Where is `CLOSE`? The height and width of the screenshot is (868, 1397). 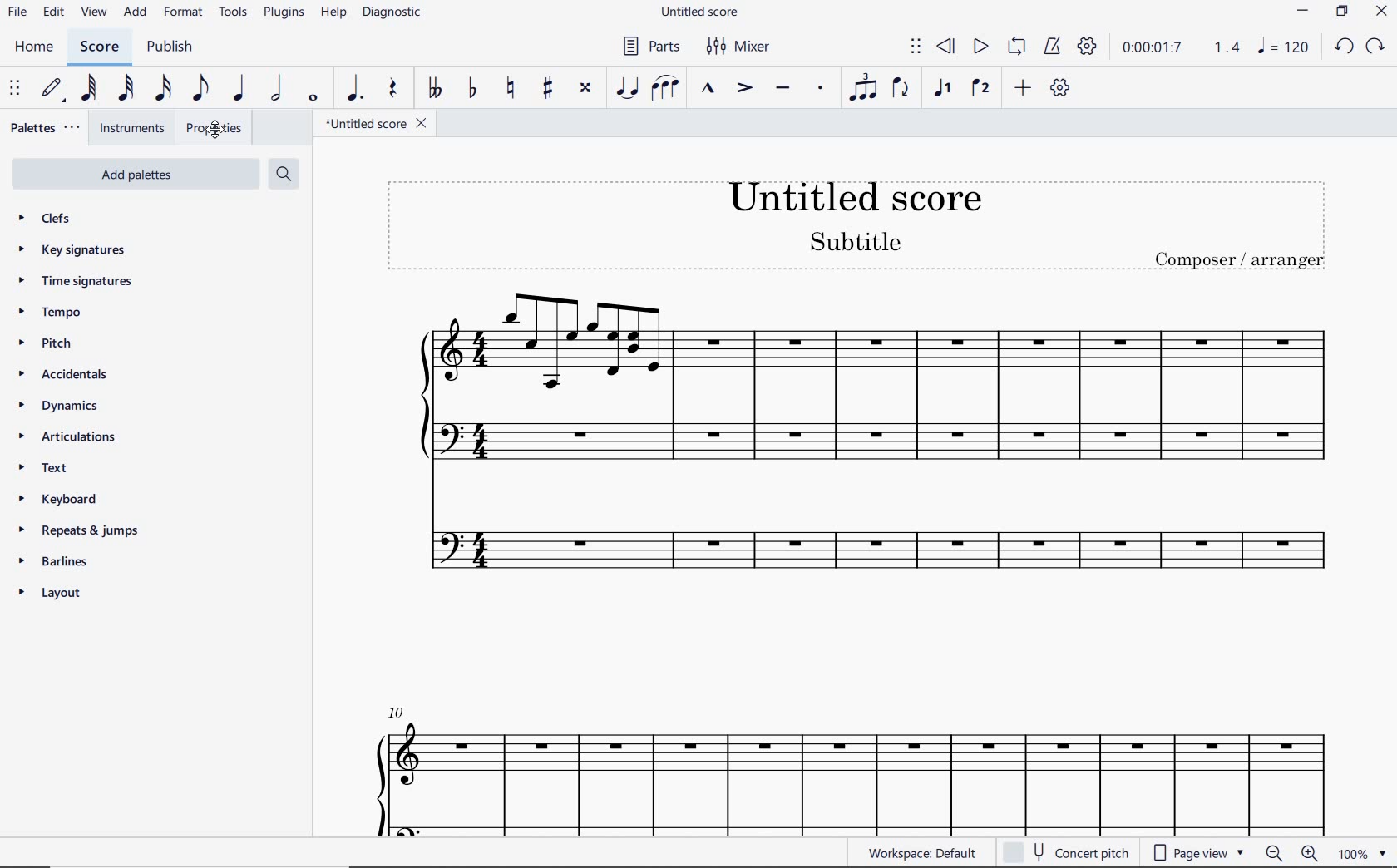
CLOSE is located at coordinates (1380, 12).